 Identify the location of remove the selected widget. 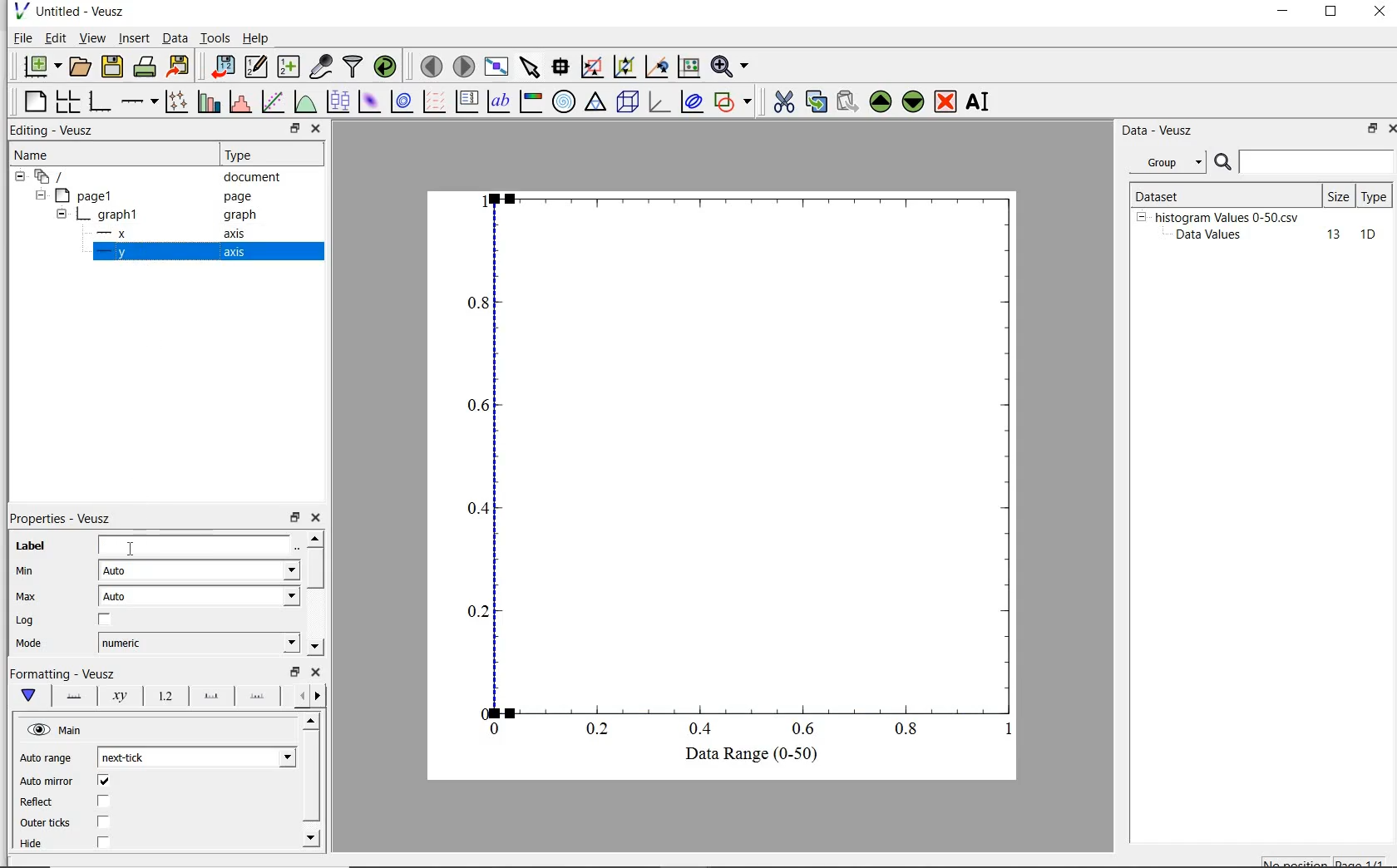
(945, 103).